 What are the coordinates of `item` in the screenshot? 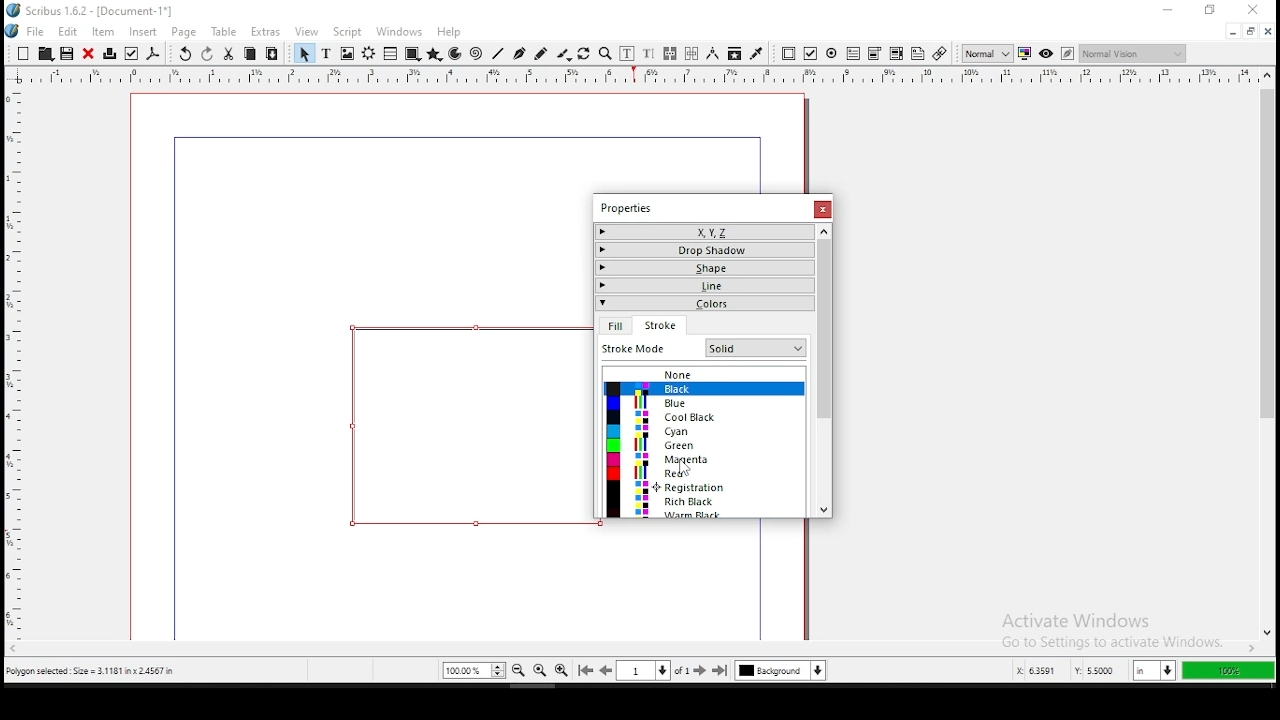 It's located at (103, 31).